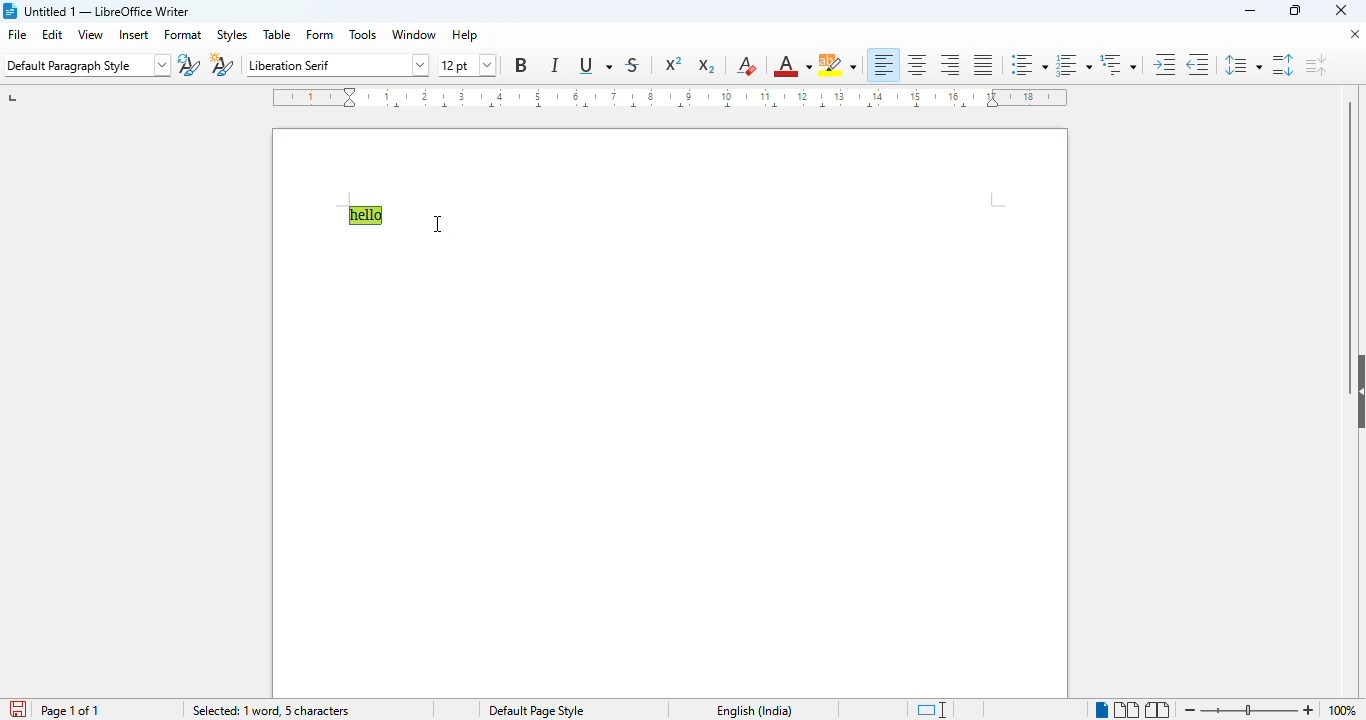 Image resolution: width=1366 pixels, height=720 pixels. What do you see at coordinates (1309, 710) in the screenshot?
I see `zoom in` at bounding box center [1309, 710].